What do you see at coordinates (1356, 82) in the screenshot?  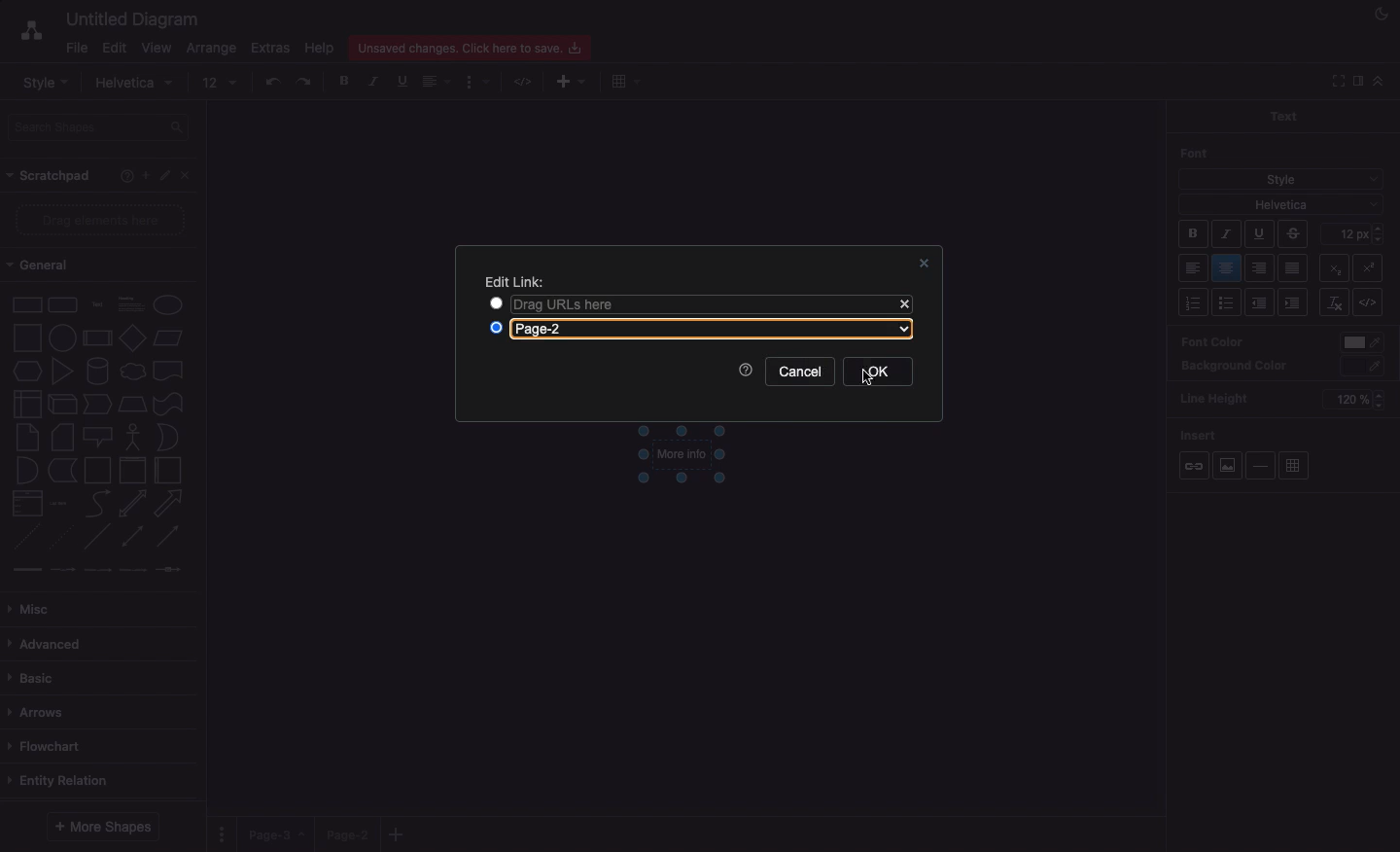 I see `Sidebar` at bounding box center [1356, 82].